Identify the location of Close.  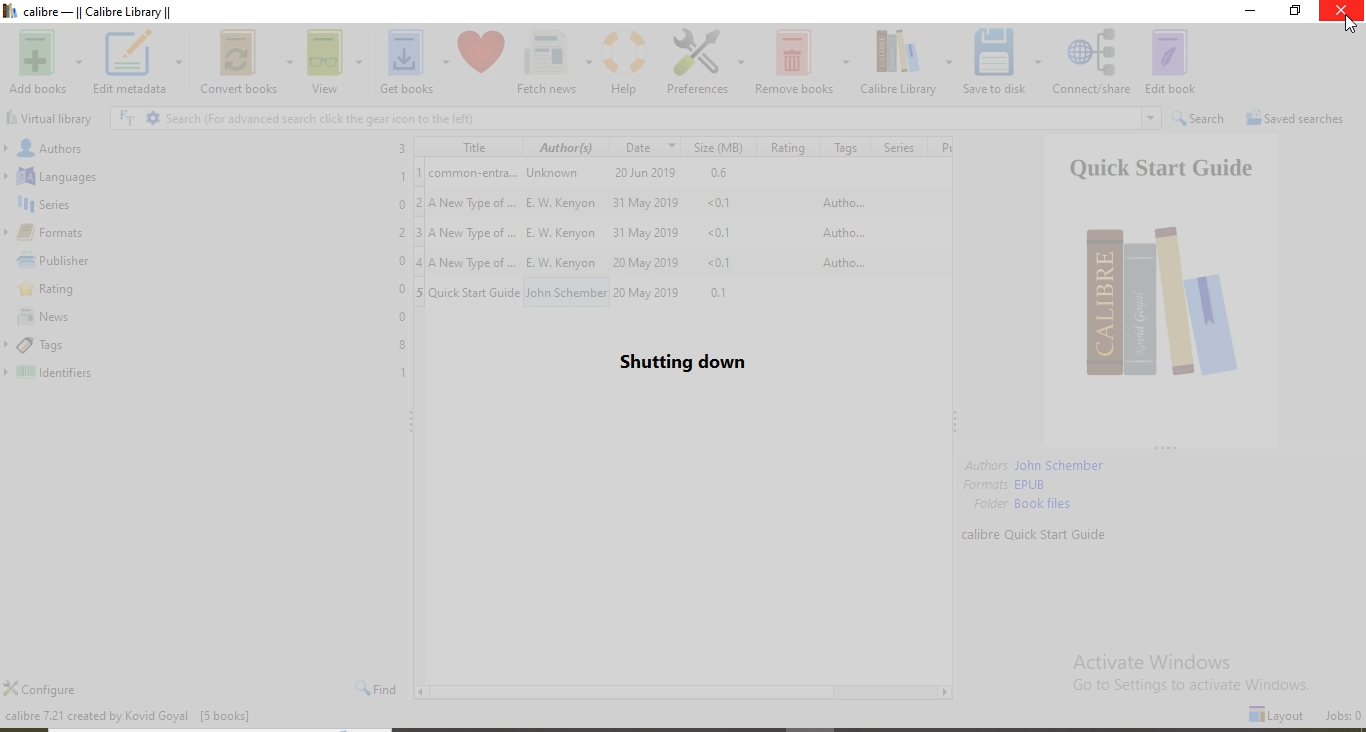
(1341, 10).